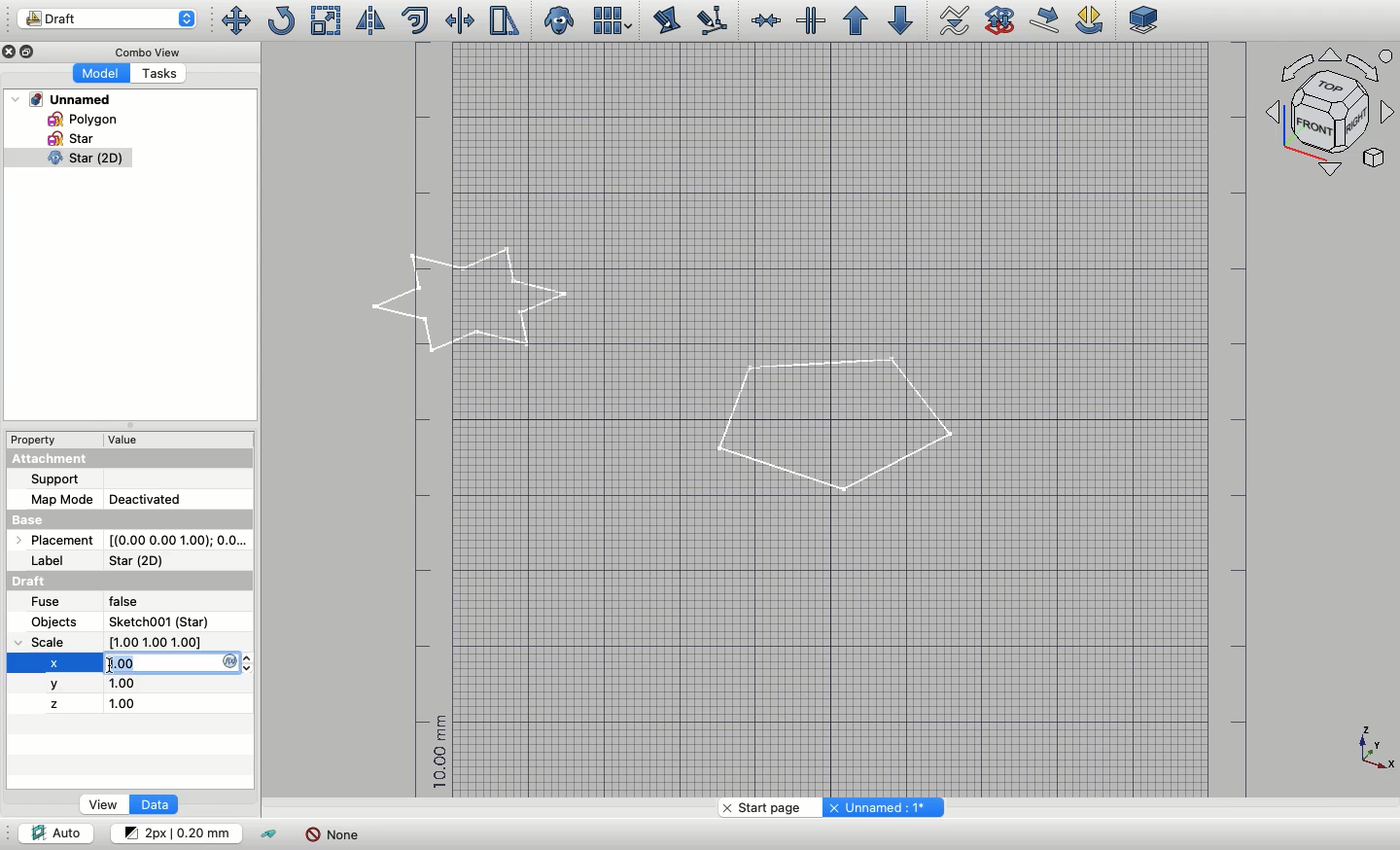 This screenshot has height=850, width=1400. What do you see at coordinates (1145, 19) in the screenshot?
I see `Plane selector` at bounding box center [1145, 19].